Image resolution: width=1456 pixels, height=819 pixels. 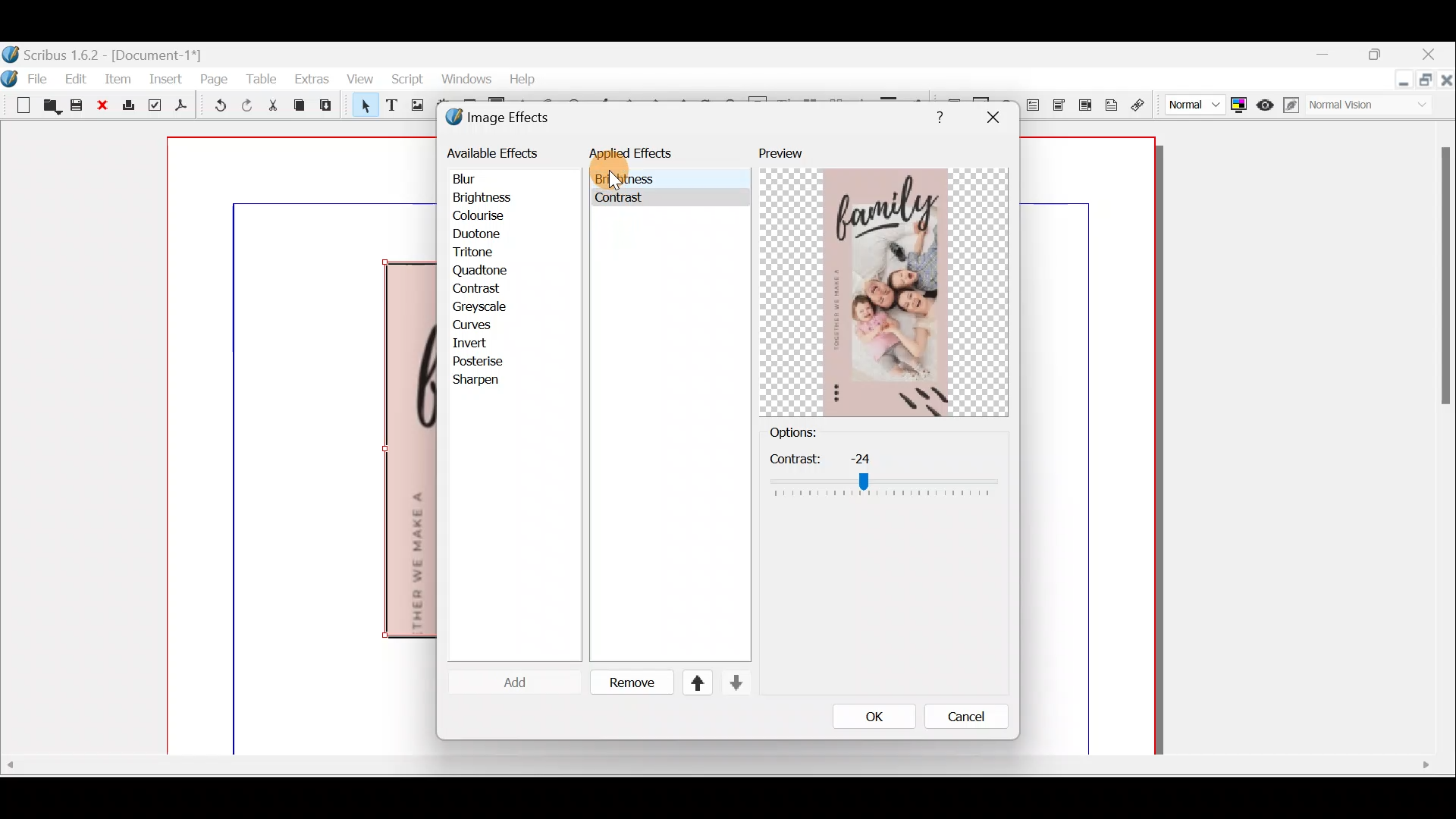 What do you see at coordinates (215, 78) in the screenshot?
I see `Page` at bounding box center [215, 78].